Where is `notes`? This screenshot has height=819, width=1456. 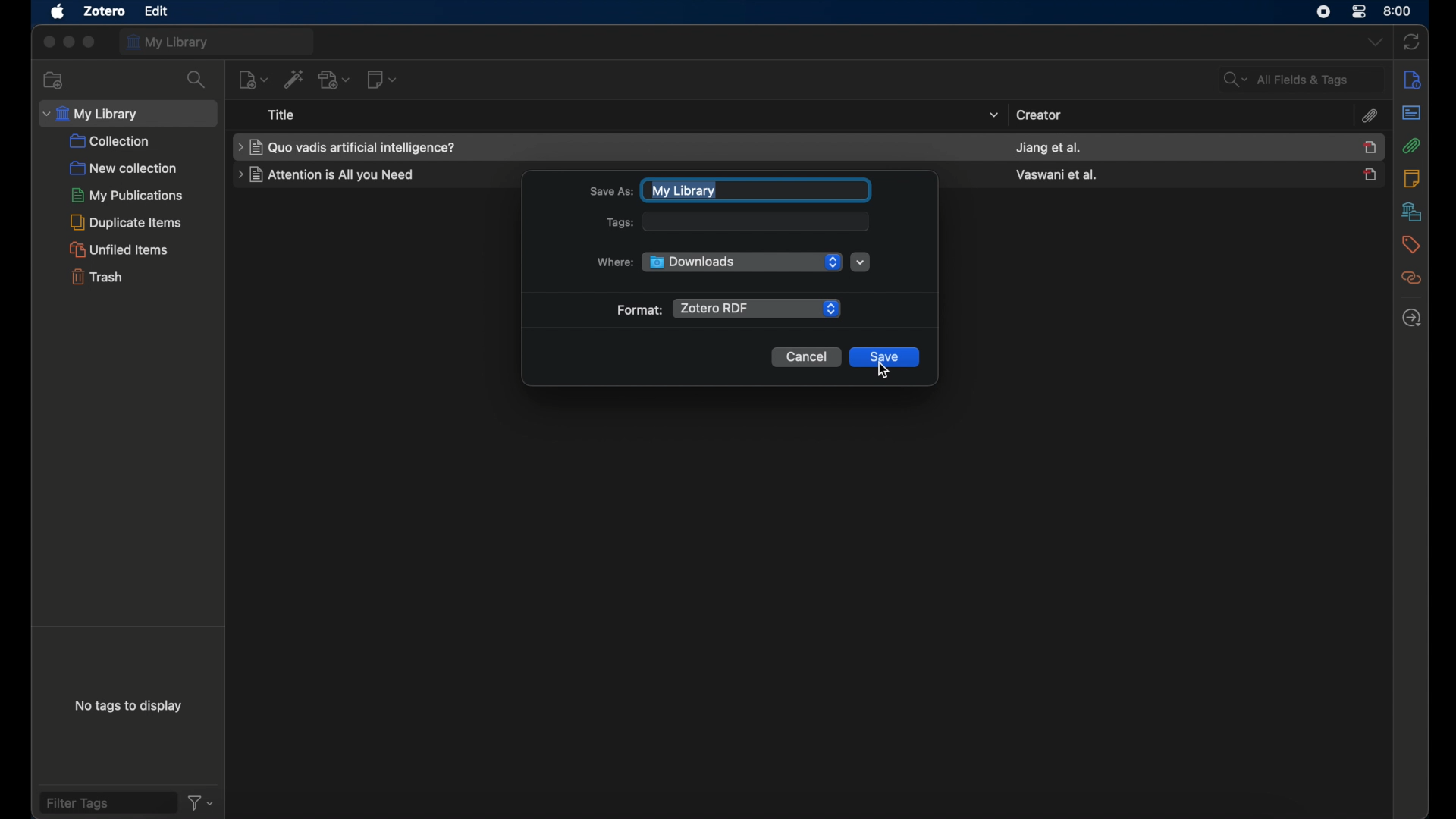
notes is located at coordinates (1411, 179).